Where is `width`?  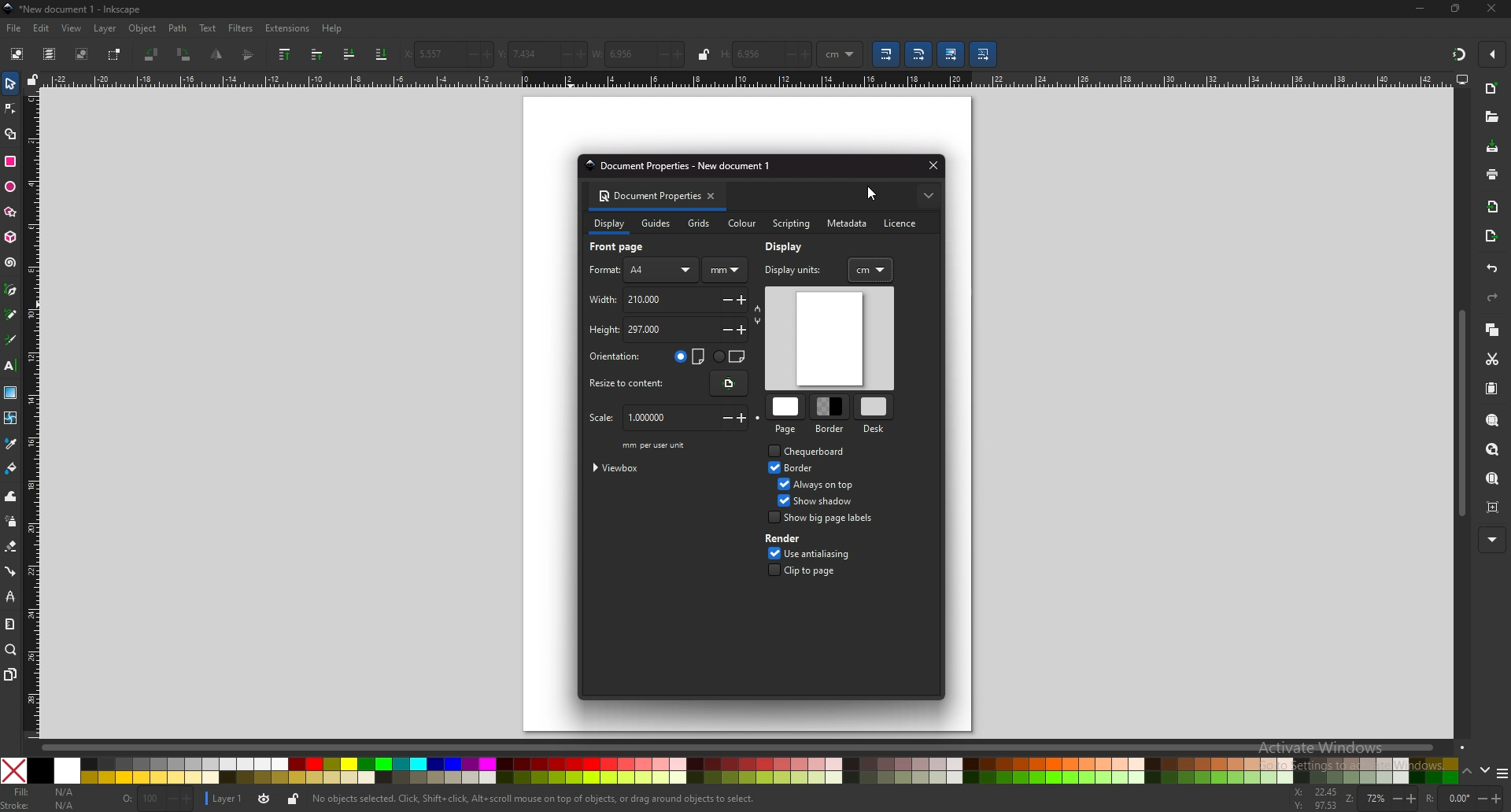 width is located at coordinates (618, 55).